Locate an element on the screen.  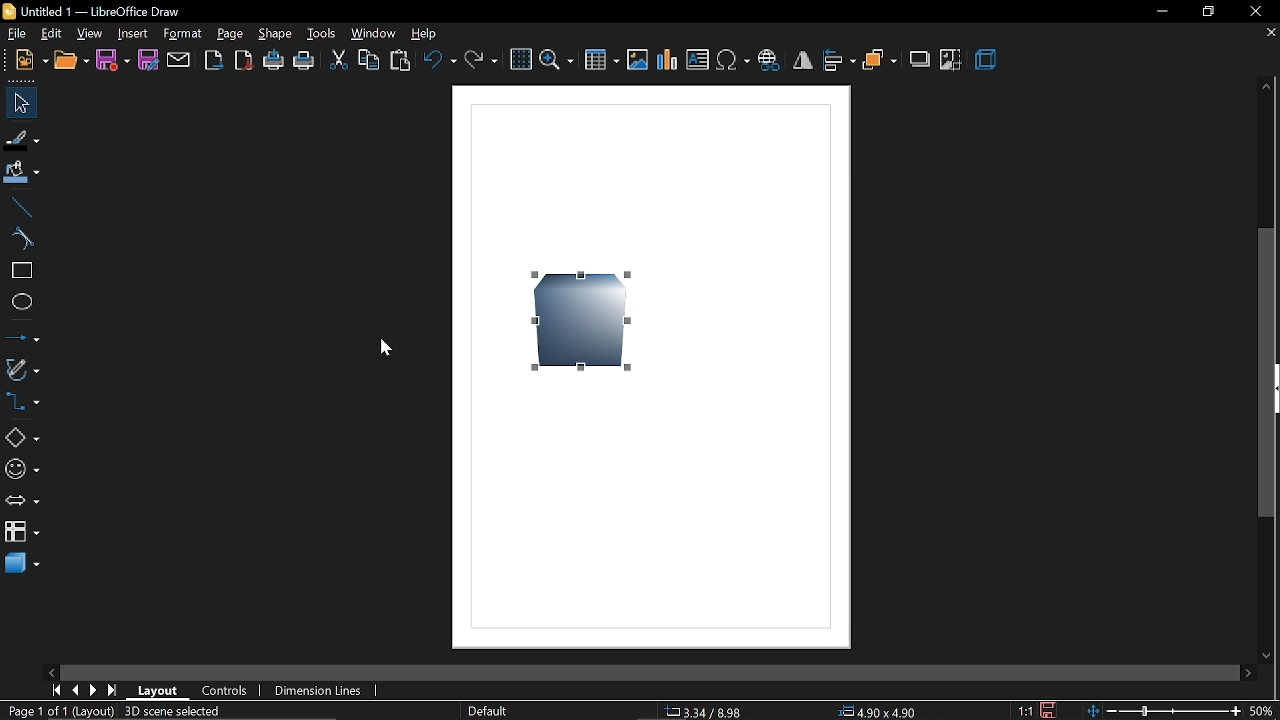
fill color is located at coordinates (21, 174).